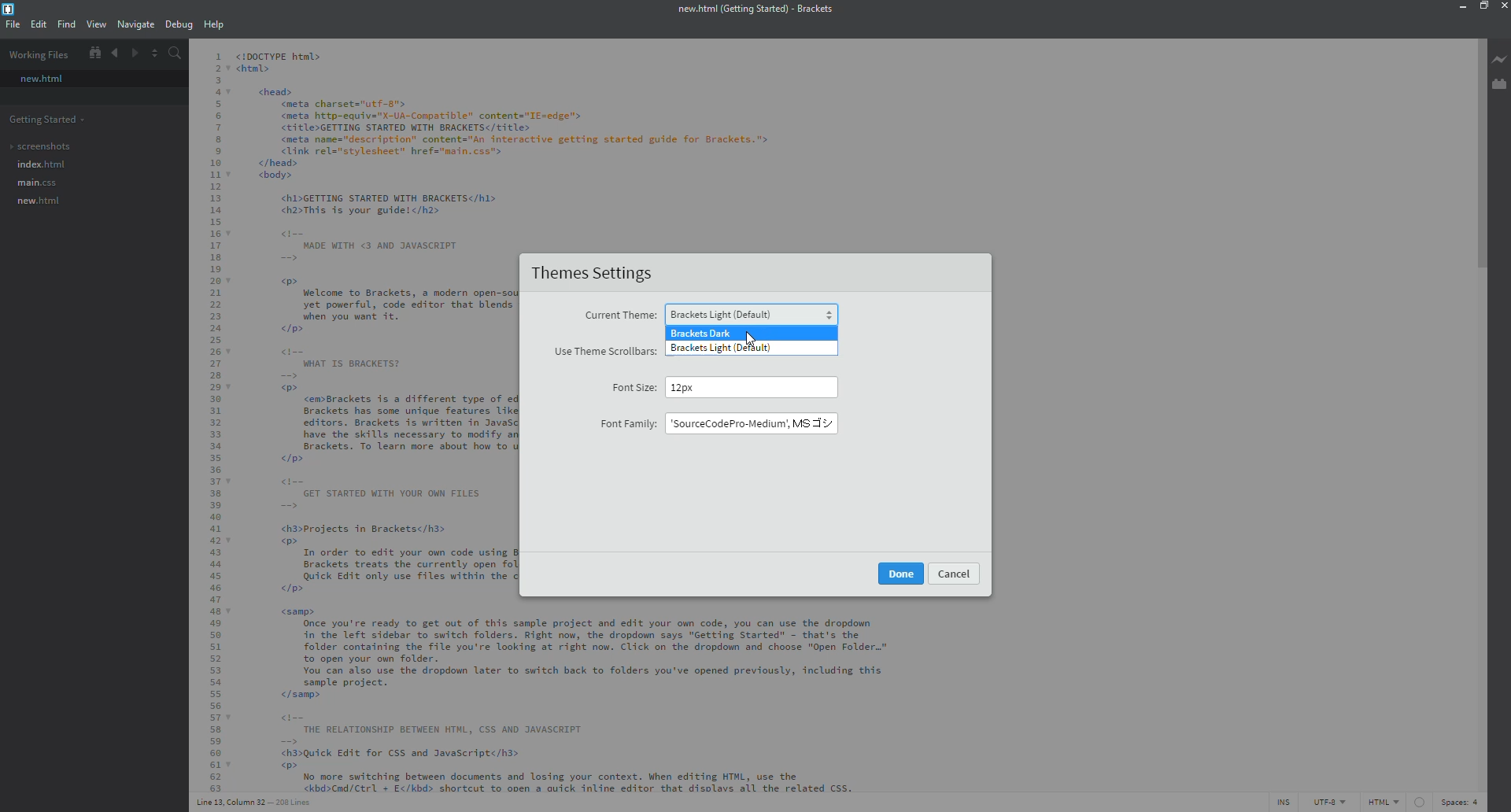 This screenshot has width=1511, height=812. I want to click on brackets, so click(753, 10).